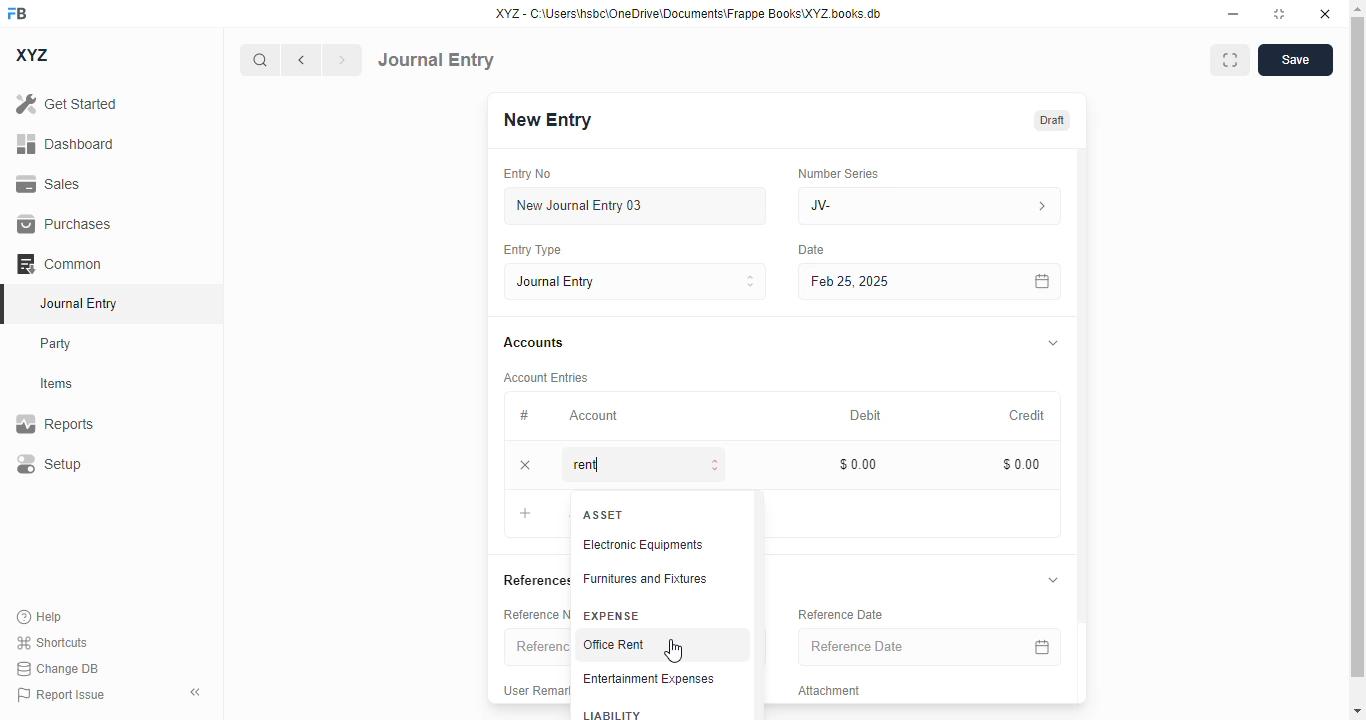  Describe the element at coordinates (1053, 579) in the screenshot. I see `toggle expand/collapse` at that location.